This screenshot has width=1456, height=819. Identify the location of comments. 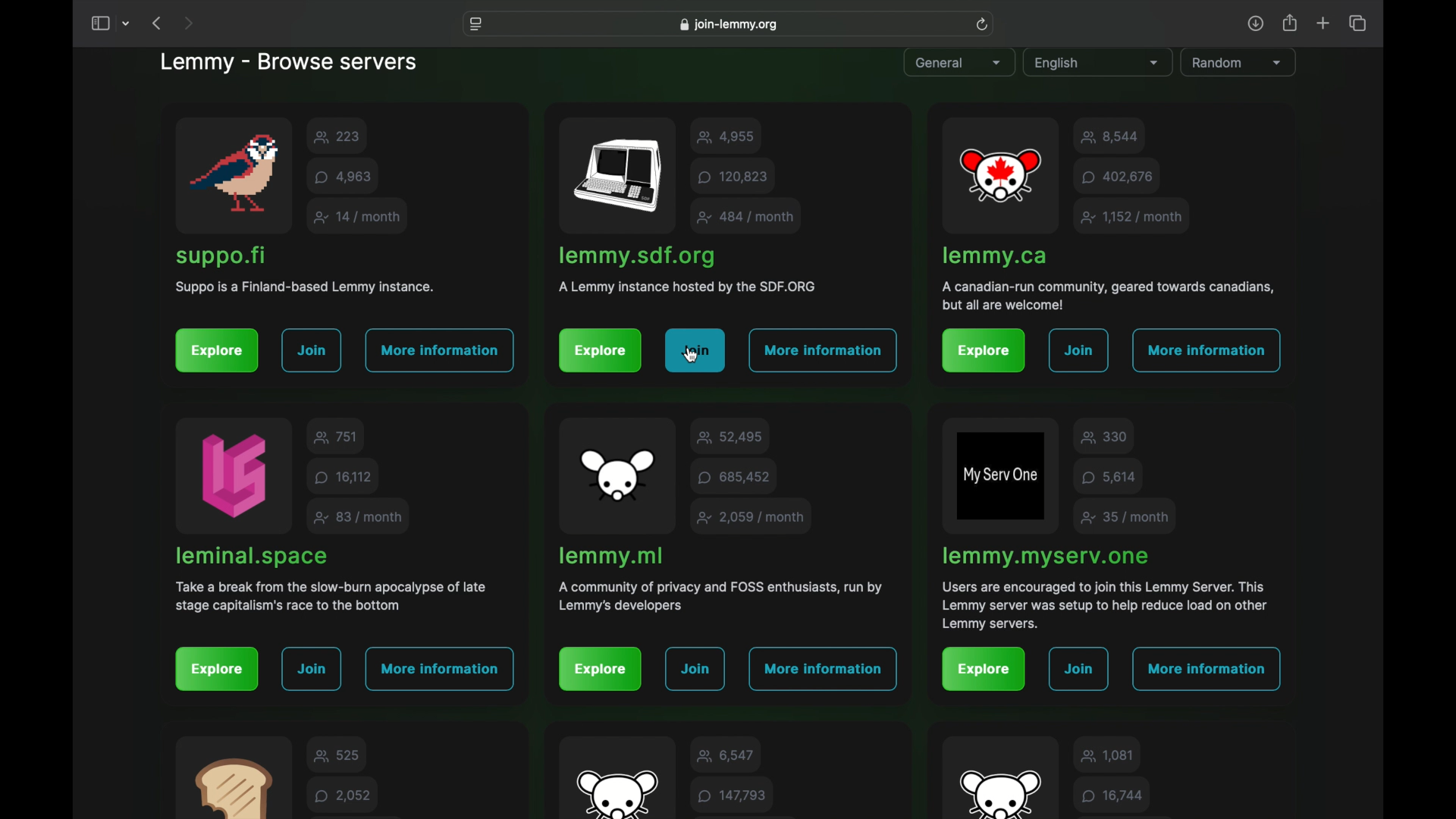
(733, 176).